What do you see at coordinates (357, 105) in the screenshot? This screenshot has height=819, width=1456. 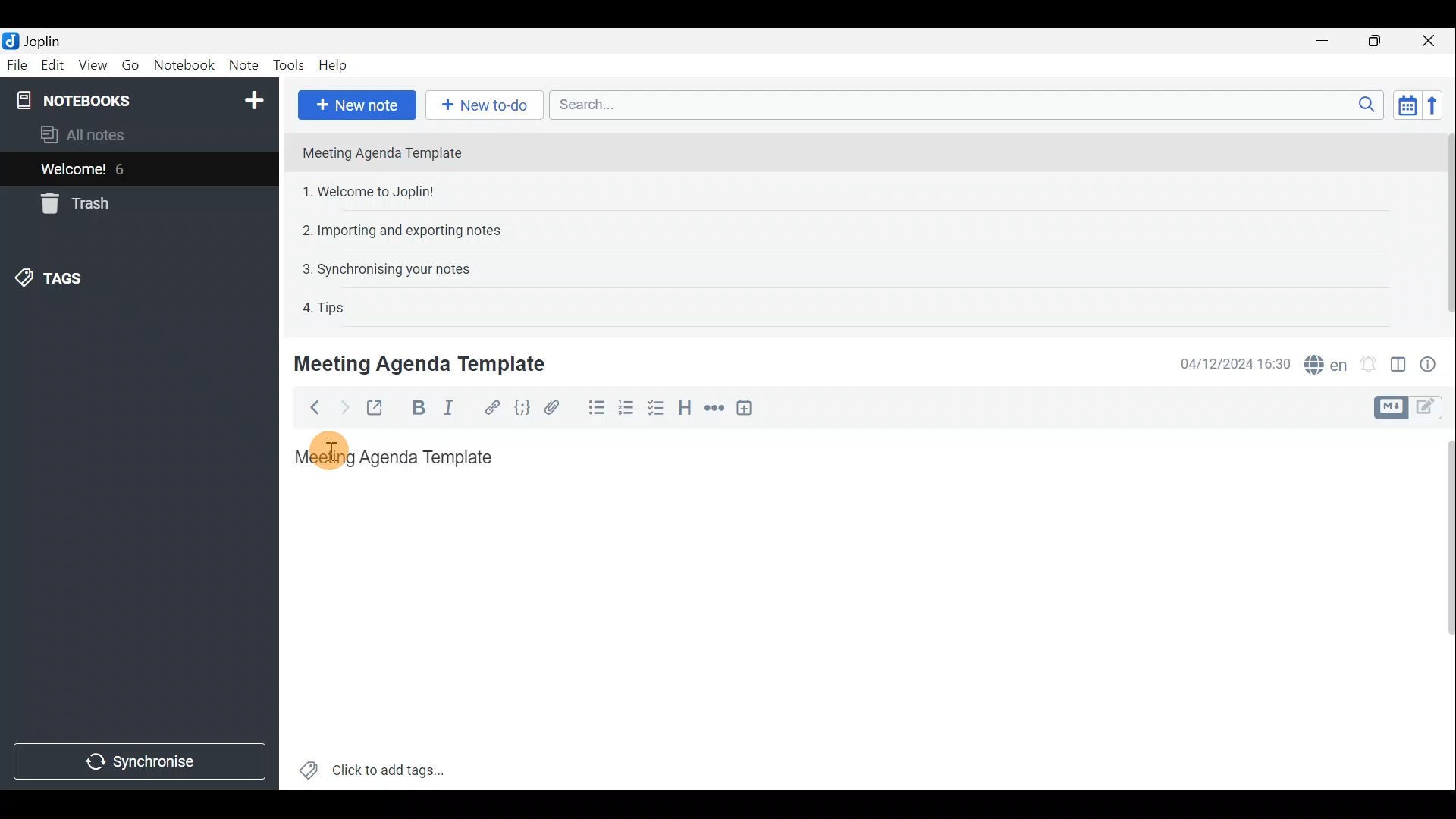 I see `New note` at bounding box center [357, 105].